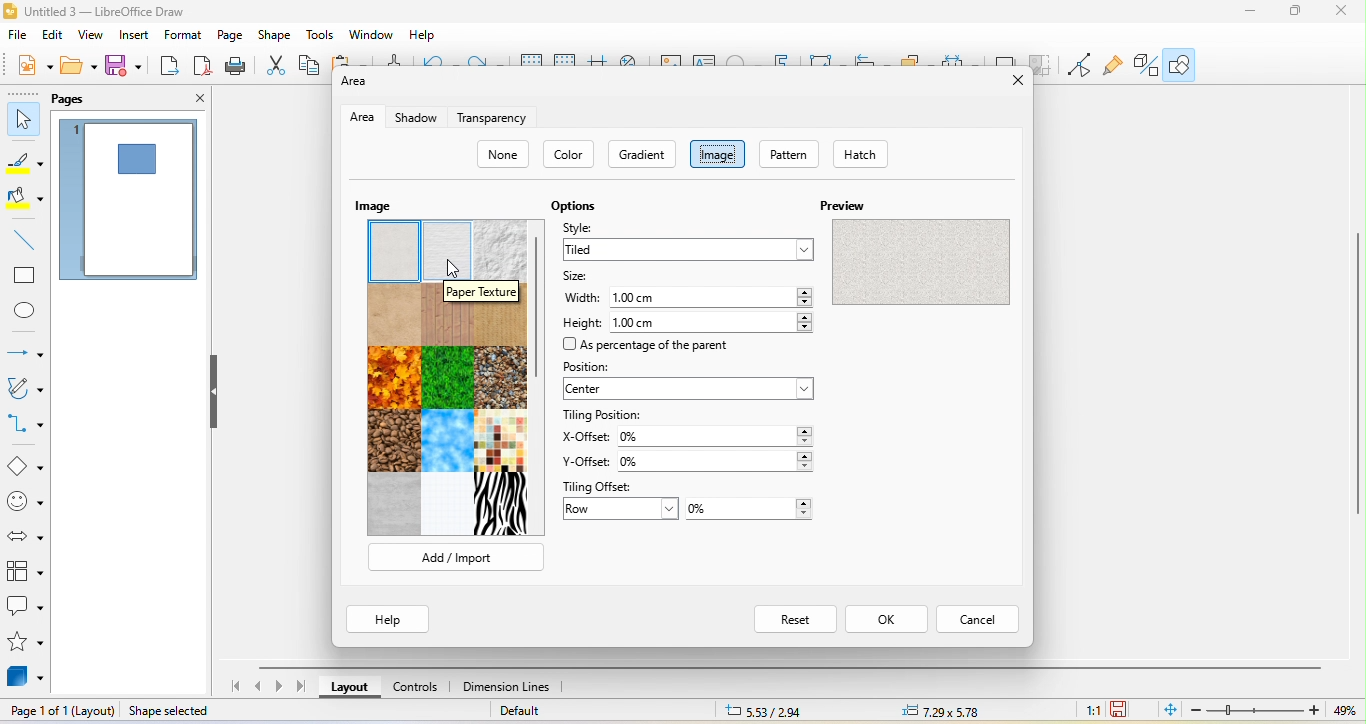 The width and height of the screenshot is (1366, 724). What do you see at coordinates (376, 205) in the screenshot?
I see `image` at bounding box center [376, 205].